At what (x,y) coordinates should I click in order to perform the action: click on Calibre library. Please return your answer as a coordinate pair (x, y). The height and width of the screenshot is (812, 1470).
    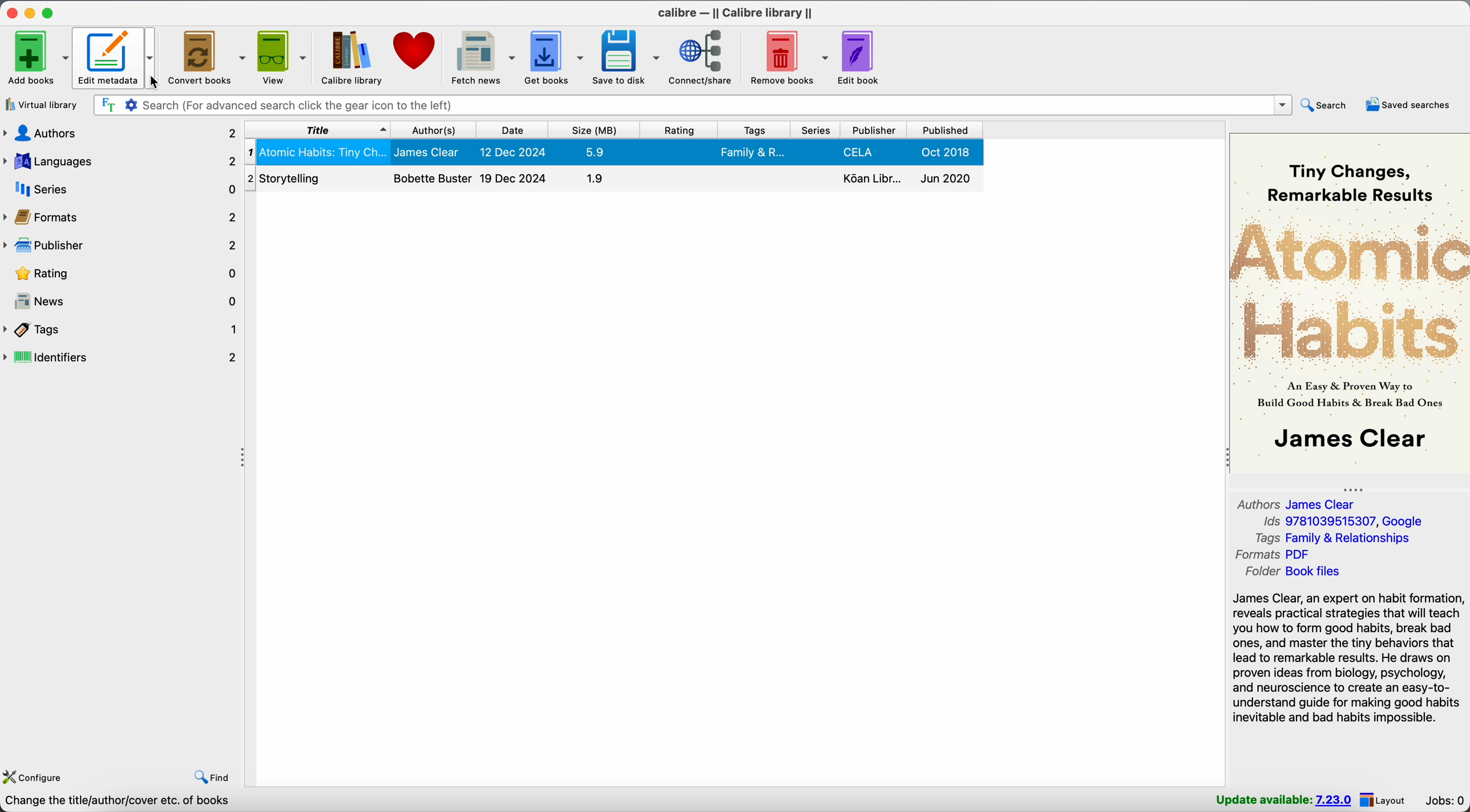
    Looking at the image, I should click on (351, 57).